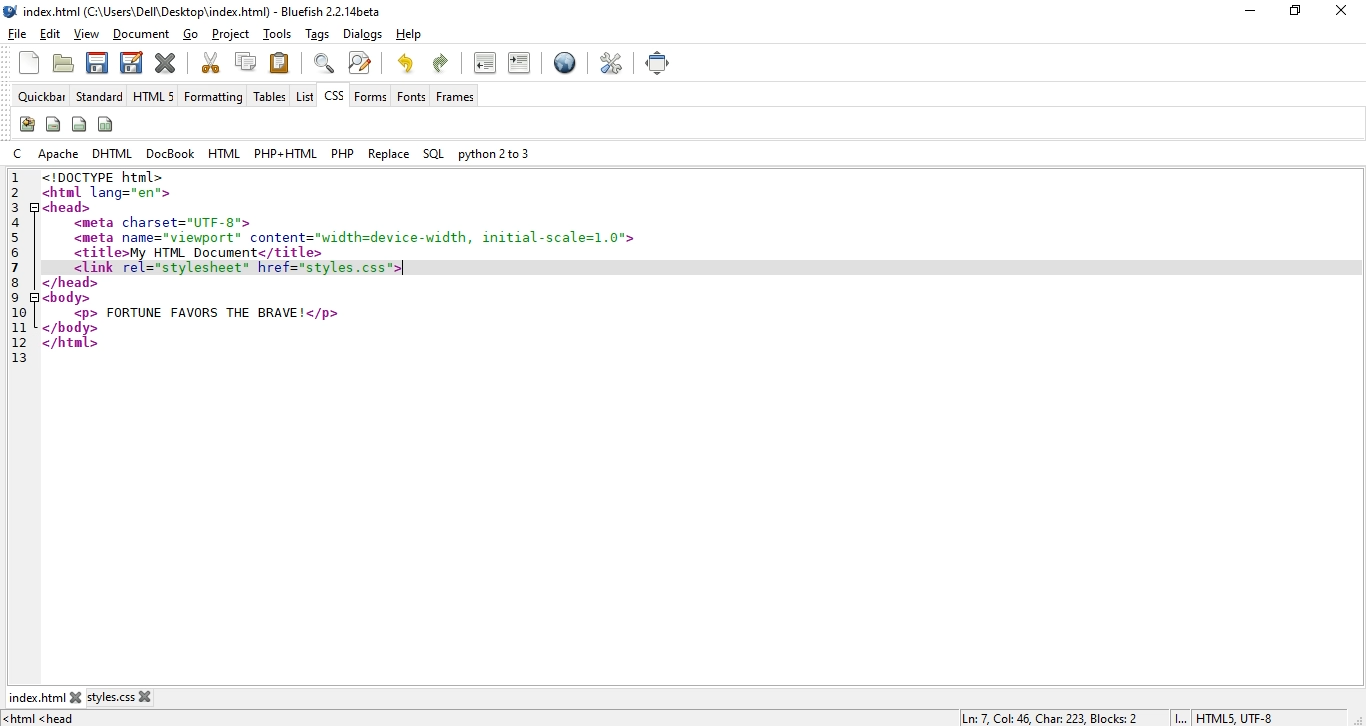 Image resolution: width=1366 pixels, height=726 pixels. I want to click on div, so click(80, 123).